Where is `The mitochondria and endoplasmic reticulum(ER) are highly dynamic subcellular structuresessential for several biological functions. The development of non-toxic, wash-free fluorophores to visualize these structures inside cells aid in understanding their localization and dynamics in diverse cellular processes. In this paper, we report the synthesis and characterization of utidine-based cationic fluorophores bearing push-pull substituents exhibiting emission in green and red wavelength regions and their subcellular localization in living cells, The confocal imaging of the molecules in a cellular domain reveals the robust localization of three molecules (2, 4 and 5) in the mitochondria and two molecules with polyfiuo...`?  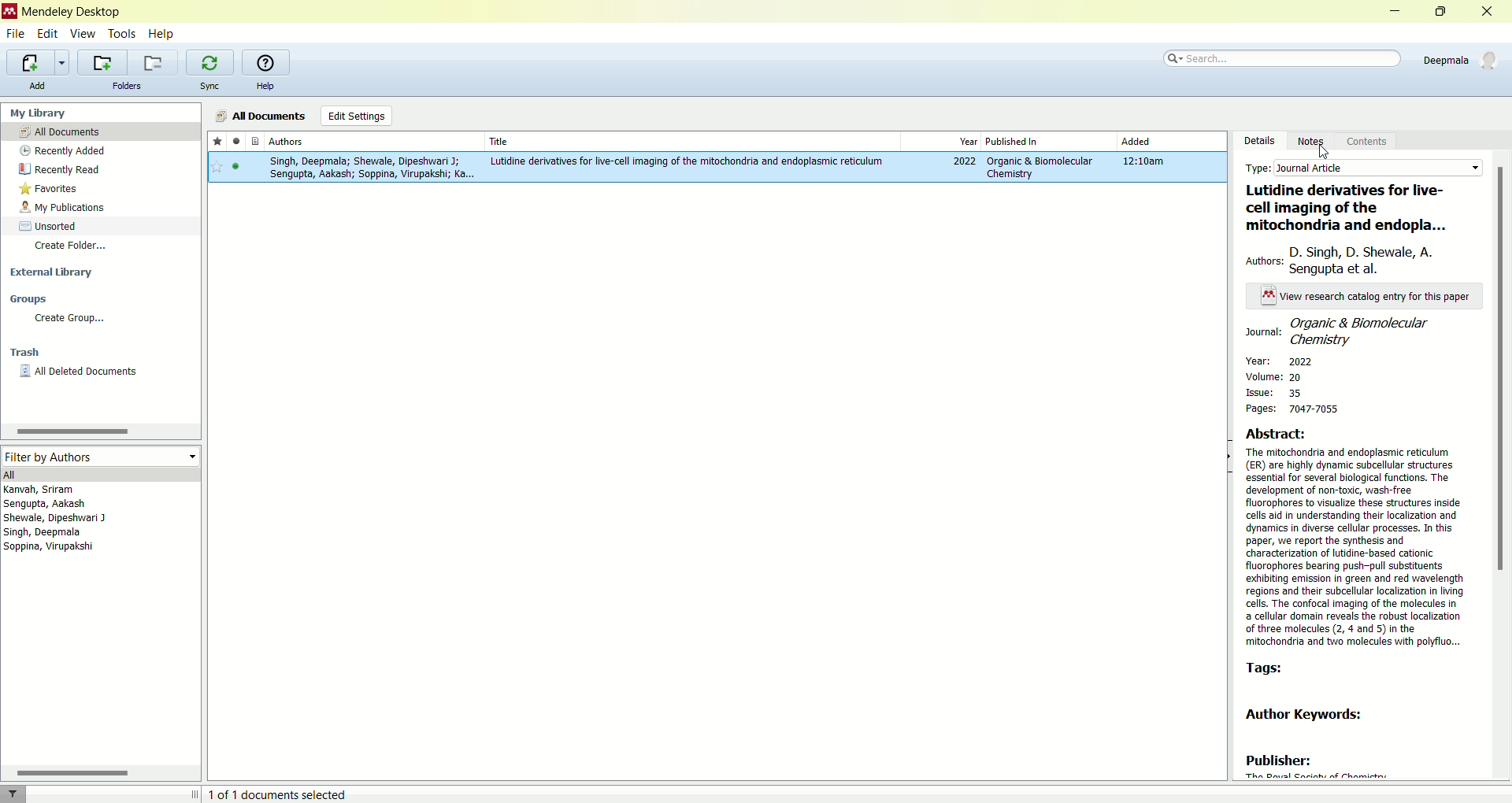
The mitochondria and endoplasmic reticulum(ER) are highly dynamic subcellular structuresessential for several biological functions. The development of non-toxic, wash-free fluorophores to visualize these structures inside cells aid in understanding their localization and dynamics in diverse cellular processes. In this paper, we report the synthesis and characterization of utidine-based cationic fluorophores bearing push-pull substituents exhibiting emission in green and red wavelength regions and their subcellular localization in living cells, The confocal imaging of the molecules in a cellular domain reveals the robust localization of three molecules (2, 4 and 5) in the mitochondria and two molecules with polyfiuo... is located at coordinates (1357, 549).